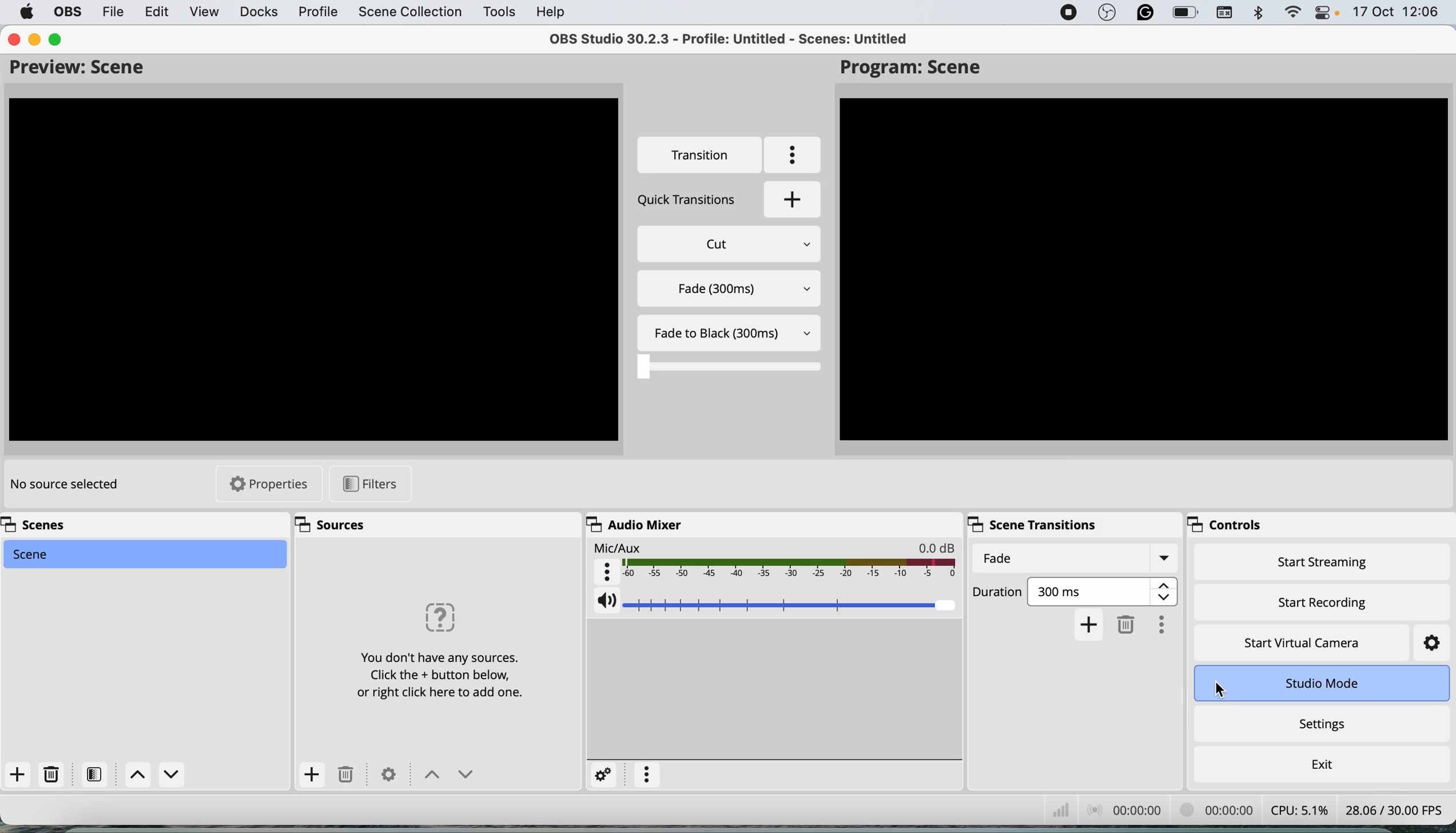 The width and height of the screenshot is (1456, 833). I want to click on system logo, so click(25, 13).